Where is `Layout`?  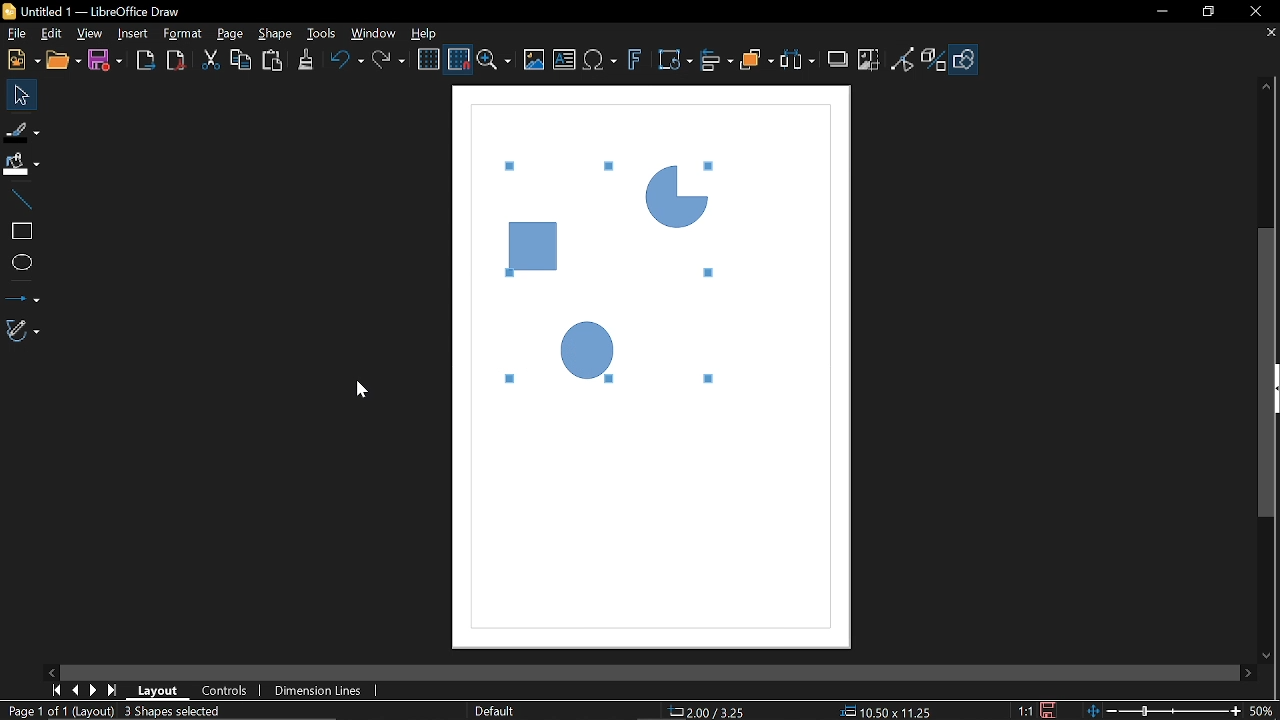
Layout is located at coordinates (160, 692).